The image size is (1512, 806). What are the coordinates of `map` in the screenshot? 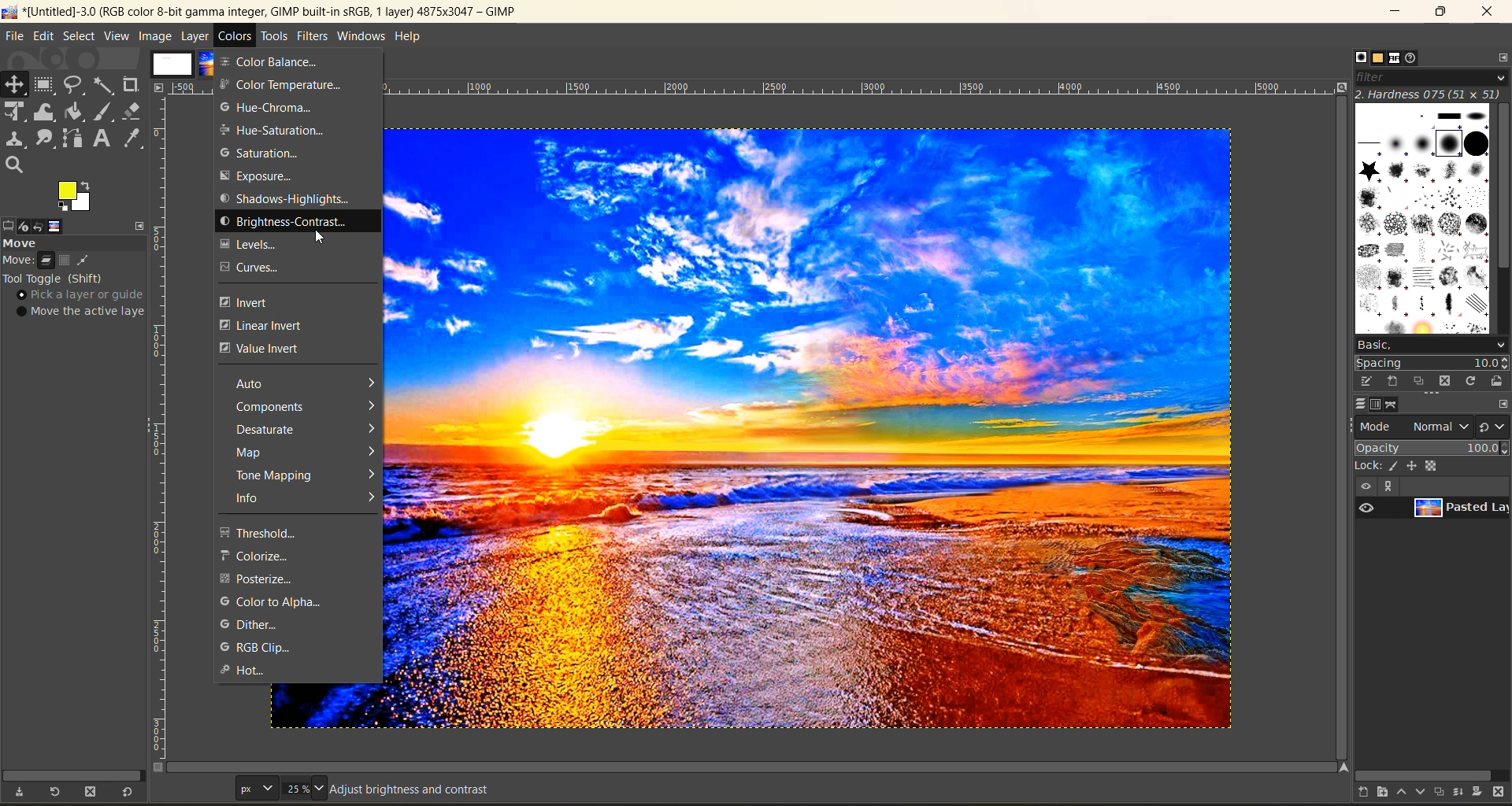 It's located at (307, 451).